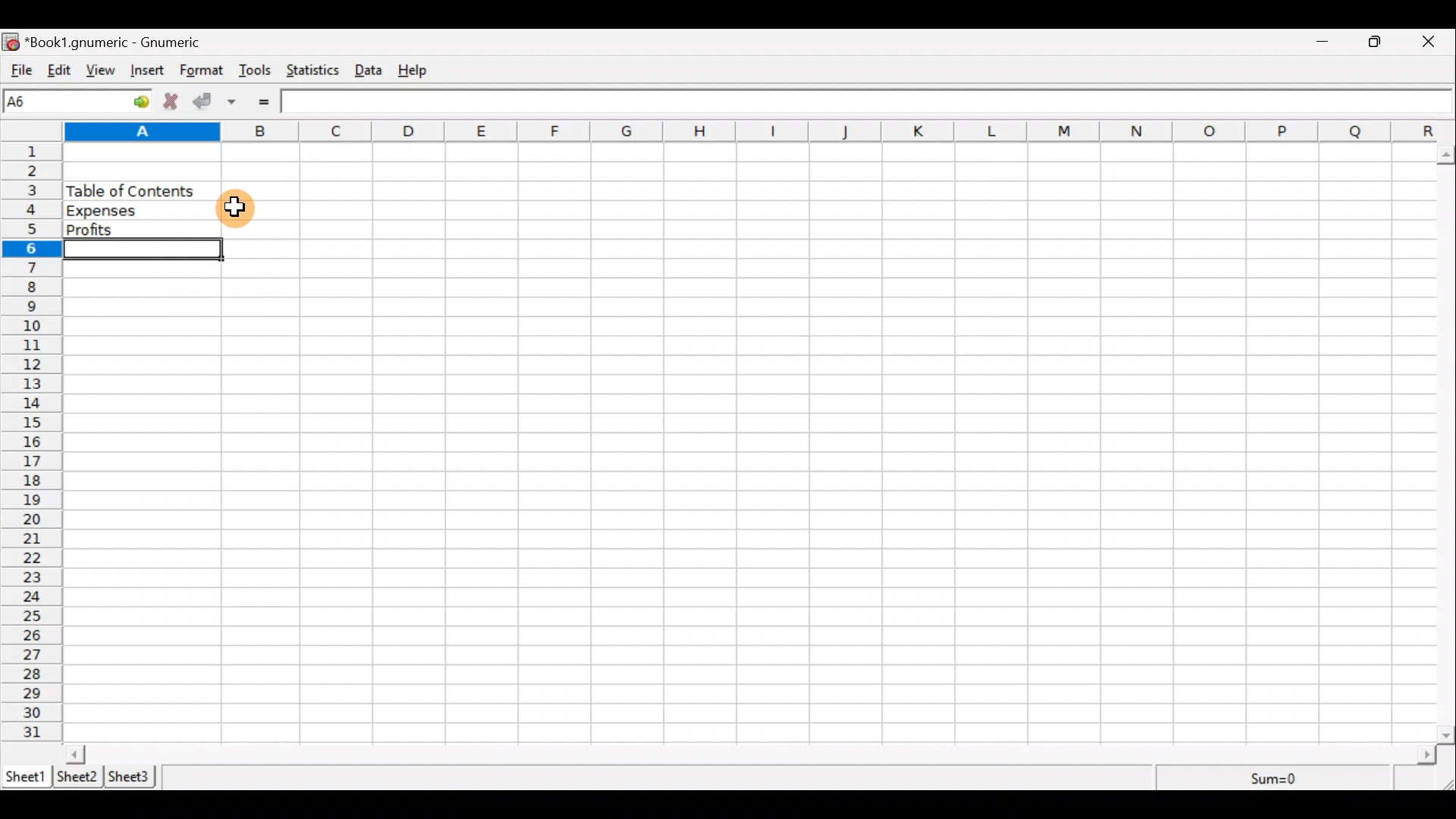 The width and height of the screenshot is (1456, 819). I want to click on alphabets row, so click(737, 132).